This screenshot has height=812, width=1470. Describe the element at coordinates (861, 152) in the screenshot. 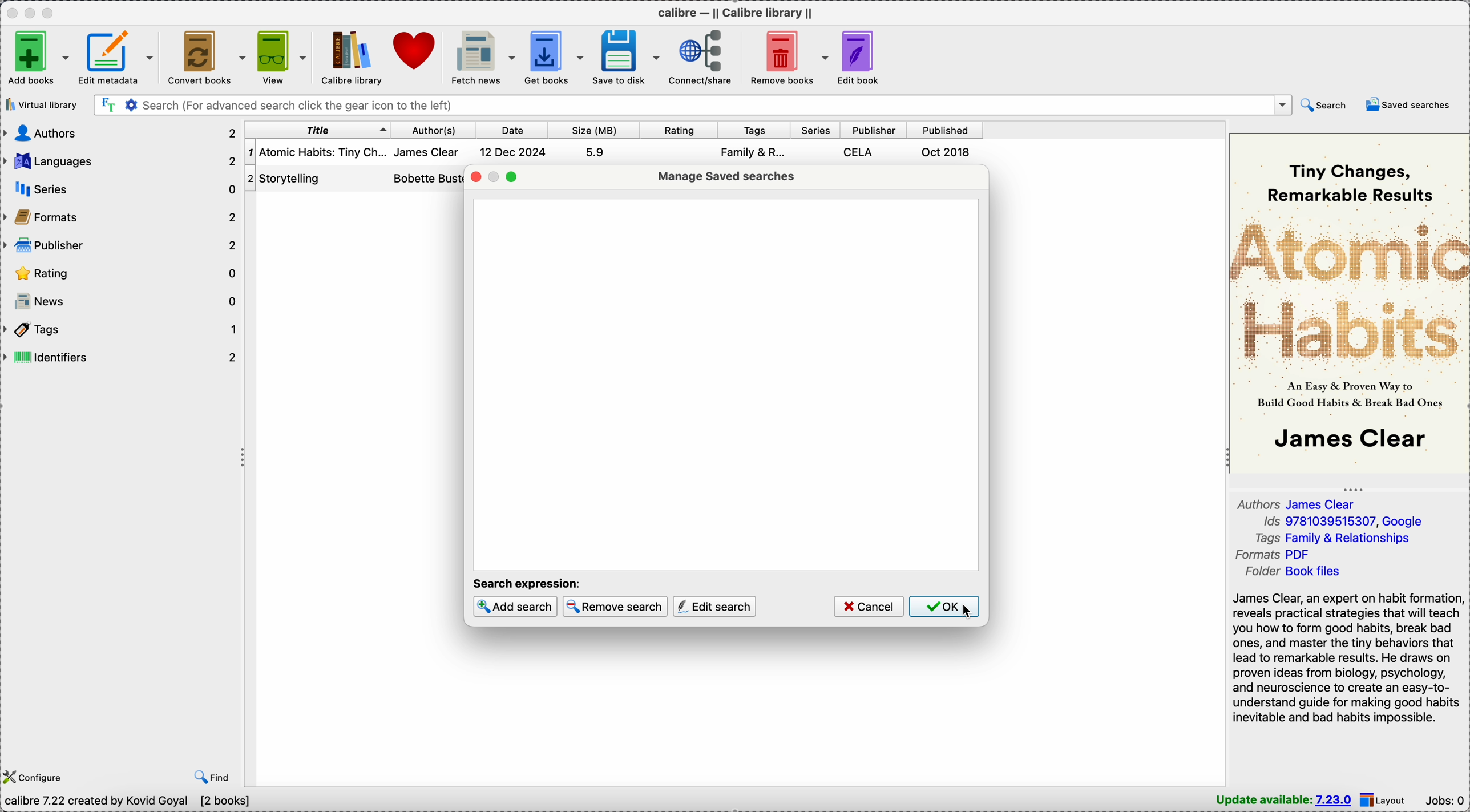

I see `publisher` at that location.